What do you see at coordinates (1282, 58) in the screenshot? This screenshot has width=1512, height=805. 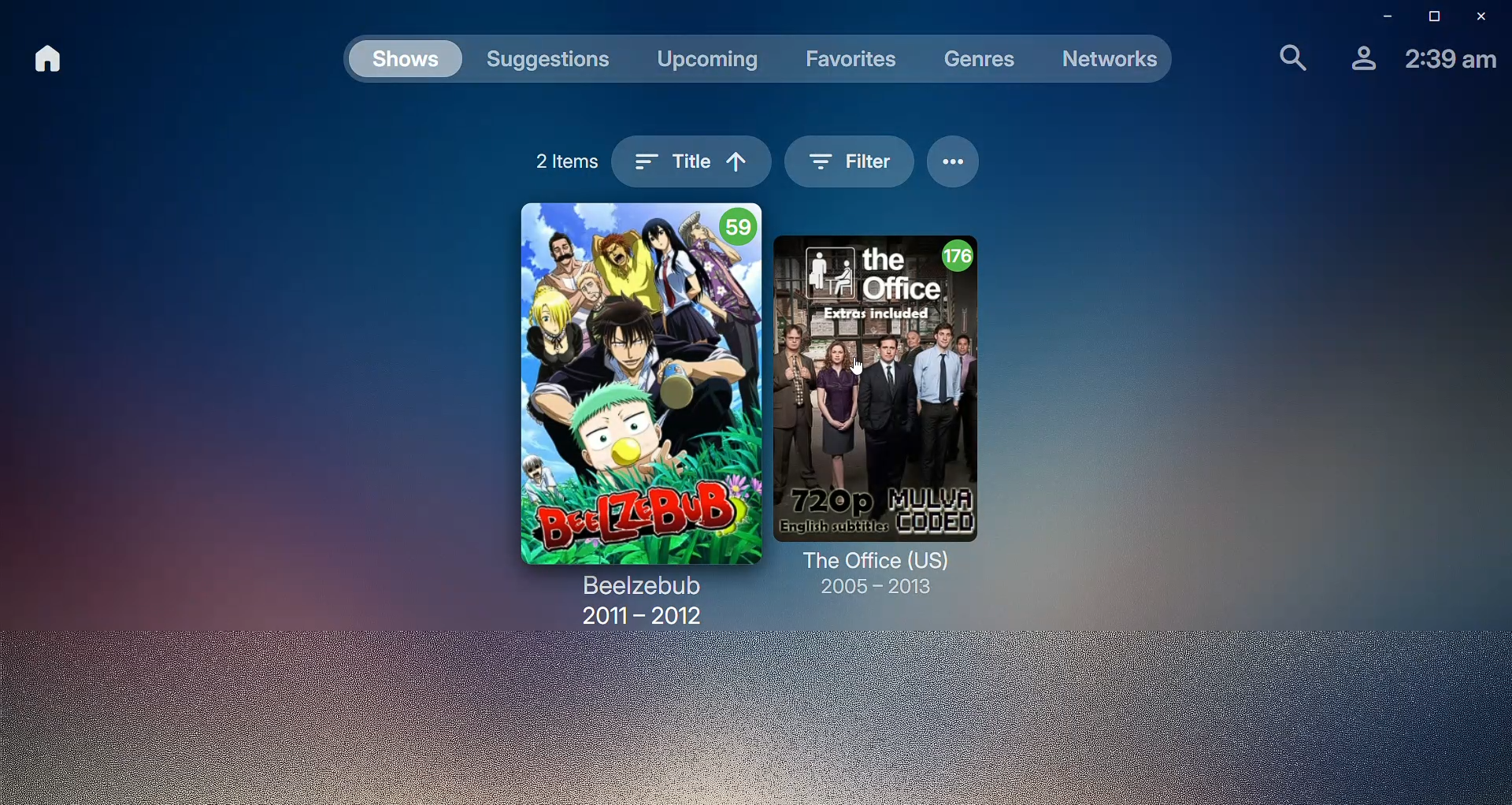 I see `Find` at bounding box center [1282, 58].